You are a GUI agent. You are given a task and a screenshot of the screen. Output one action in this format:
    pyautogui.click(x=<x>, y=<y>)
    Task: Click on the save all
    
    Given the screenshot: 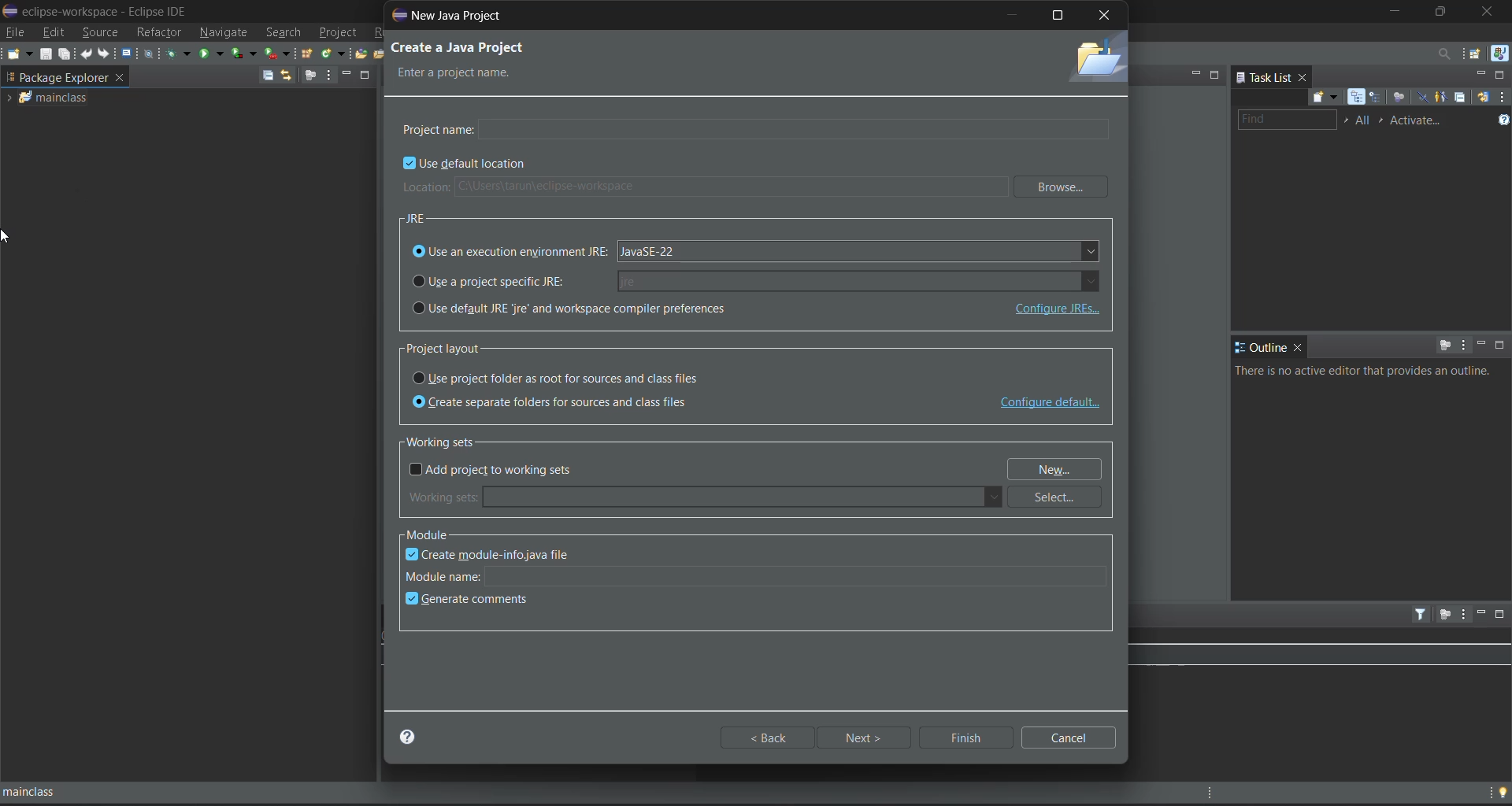 What is the action you would take?
    pyautogui.click(x=68, y=55)
    